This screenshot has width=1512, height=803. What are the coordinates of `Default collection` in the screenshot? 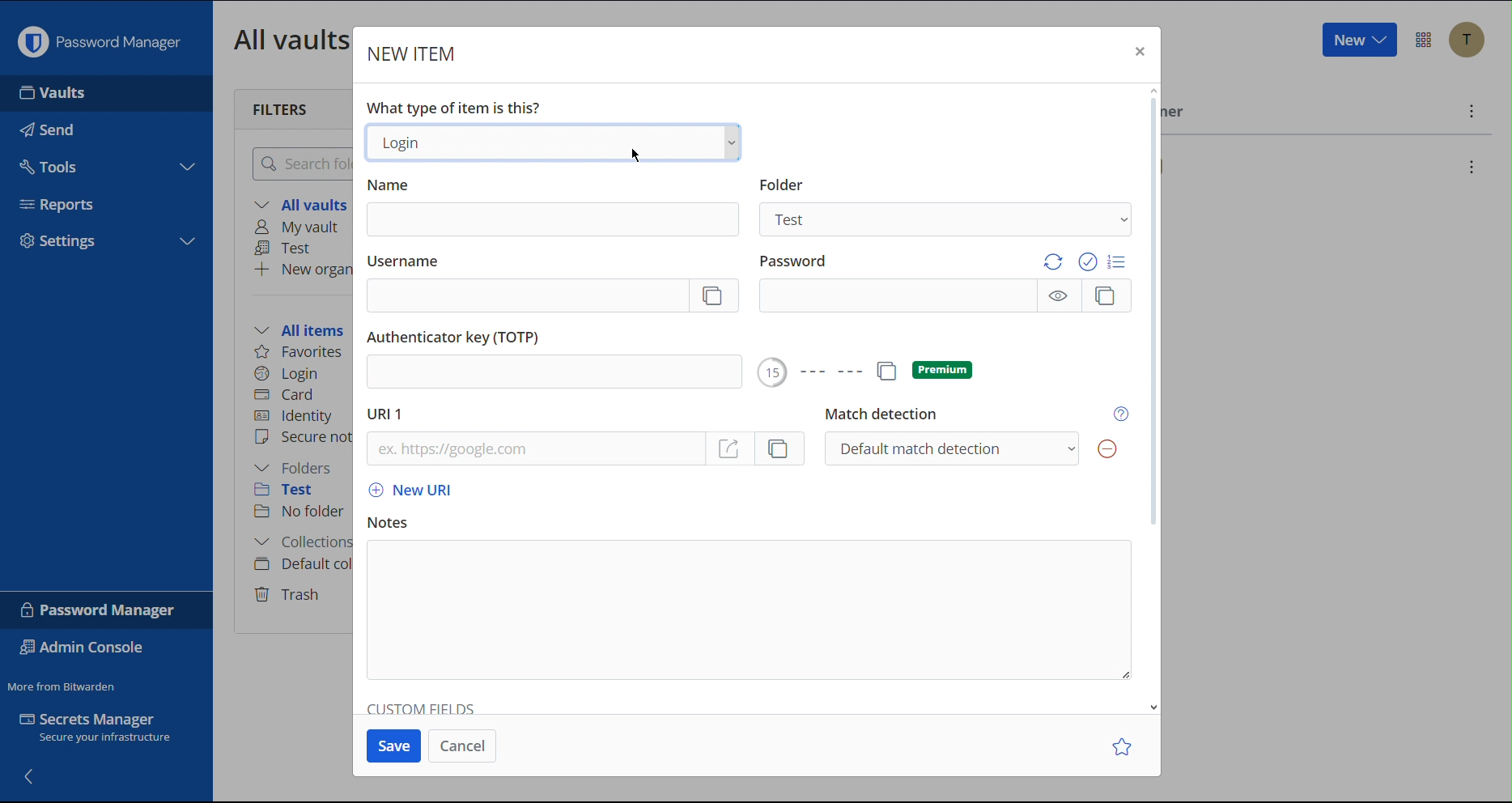 It's located at (300, 564).